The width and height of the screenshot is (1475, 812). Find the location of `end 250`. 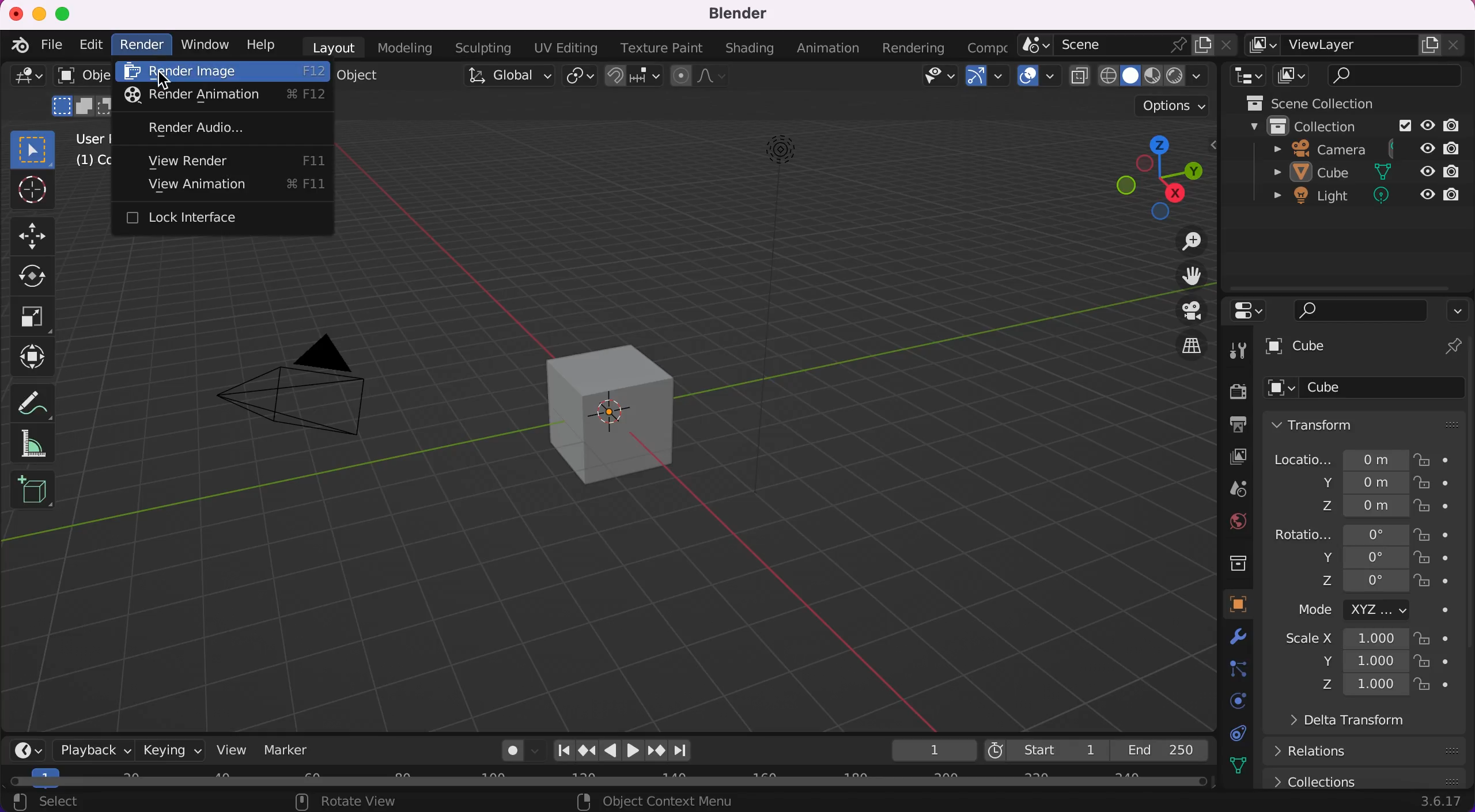

end 250 is located at coordinates (1162, 751).